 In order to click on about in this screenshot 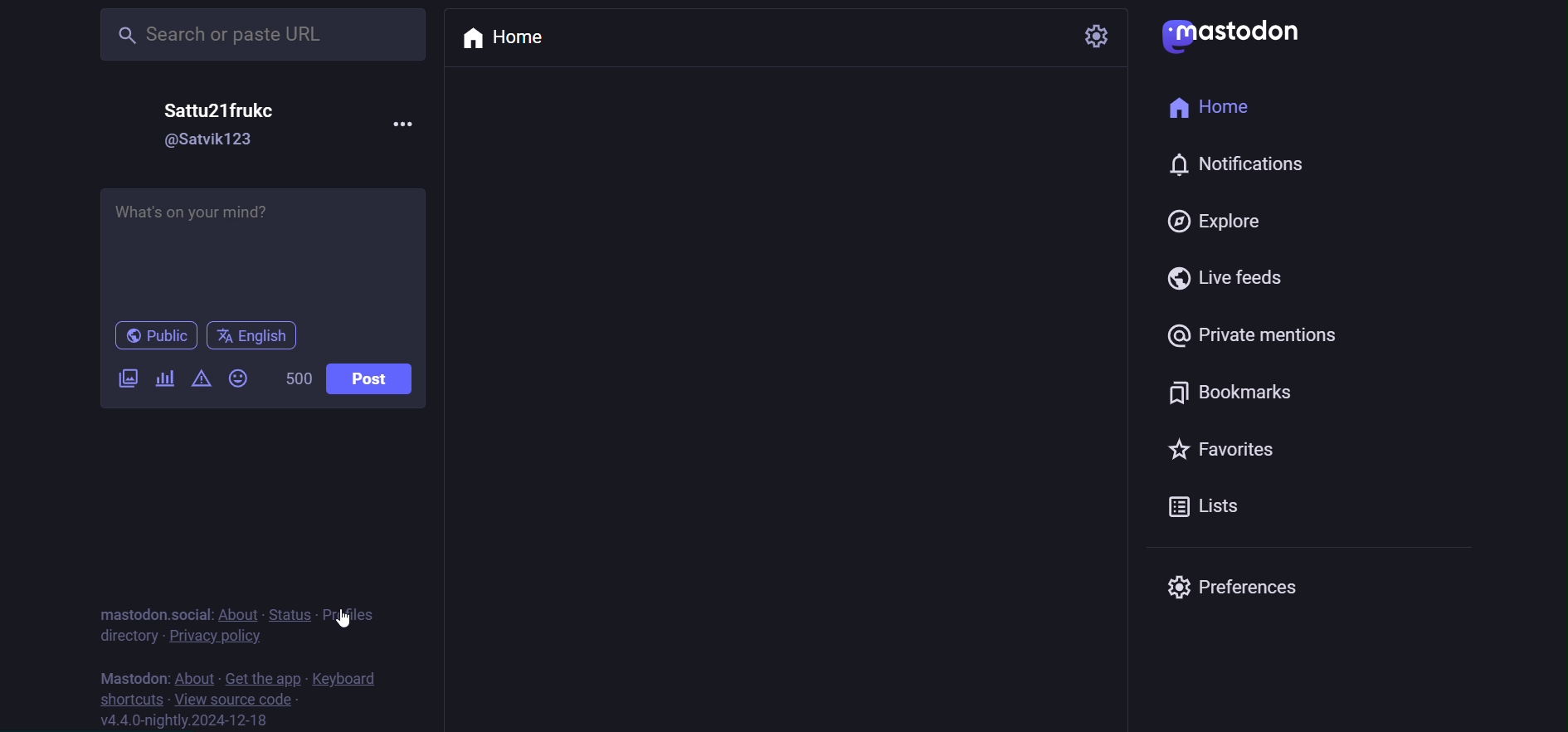, I will do `click(195, 674)`.